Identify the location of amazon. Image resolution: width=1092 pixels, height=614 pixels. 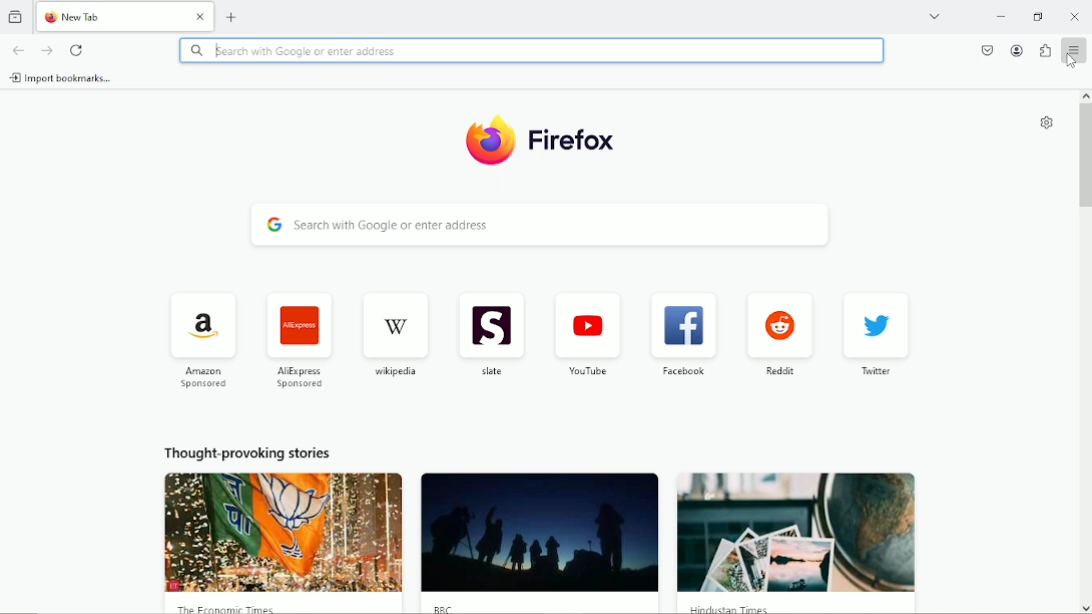
(201, 341).